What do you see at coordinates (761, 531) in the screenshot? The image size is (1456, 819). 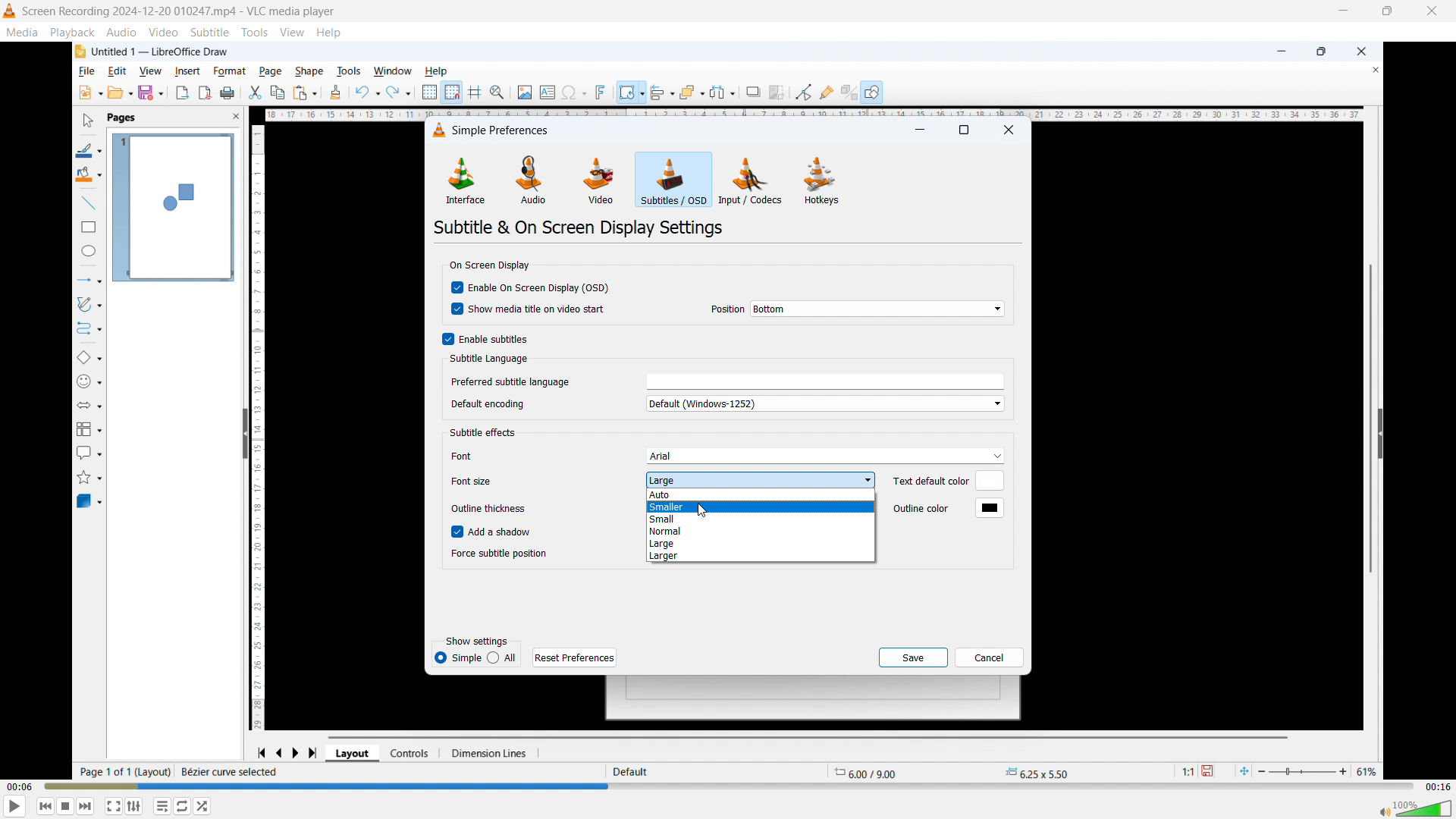 I see `Normal ` at bounding box center [761, 531].